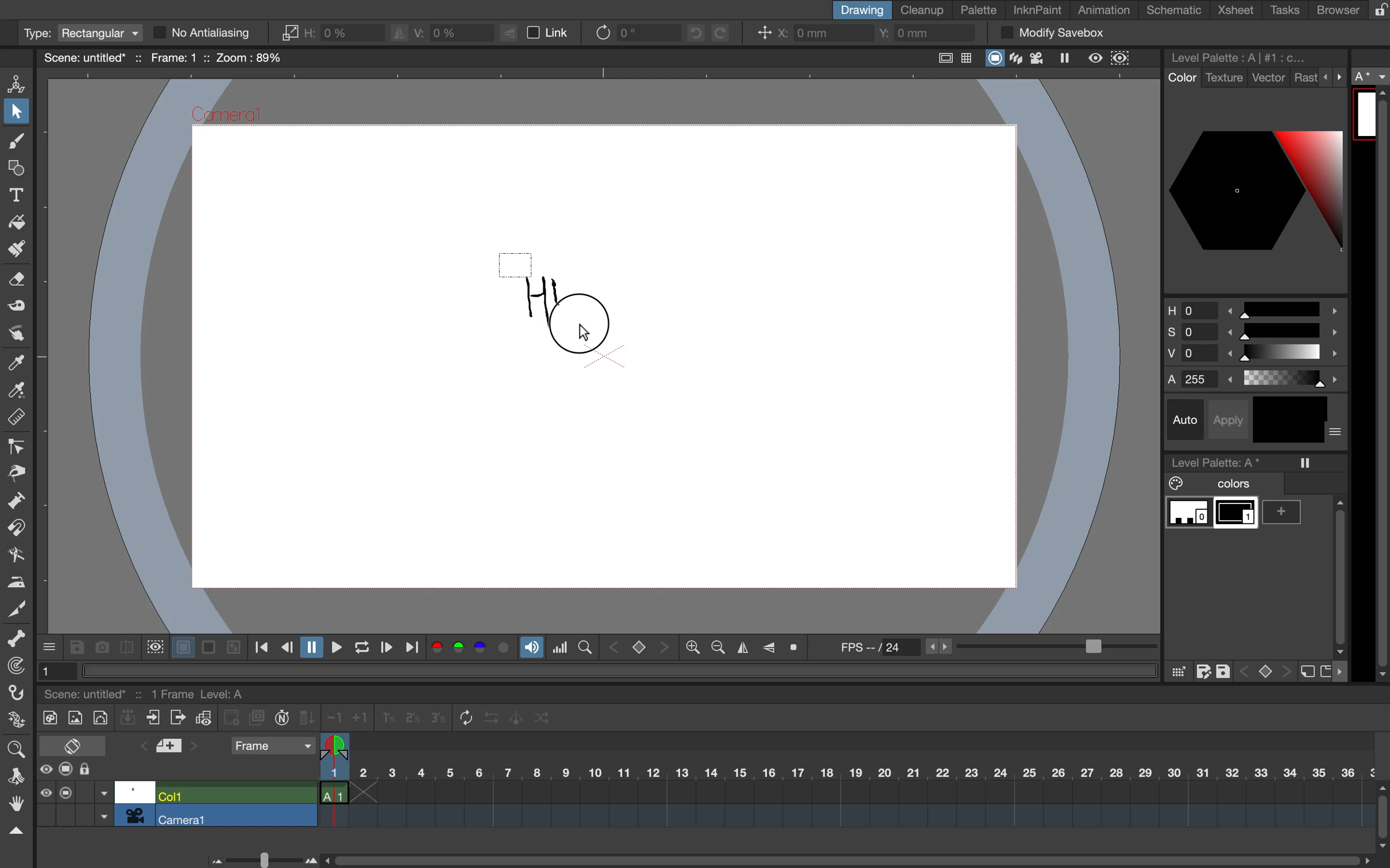 This screenshot has width=1390, height=868. What do you see at coordinates (1039, 58) in the screenshot?
I see `camera view` at bounding box center [1039, 58].